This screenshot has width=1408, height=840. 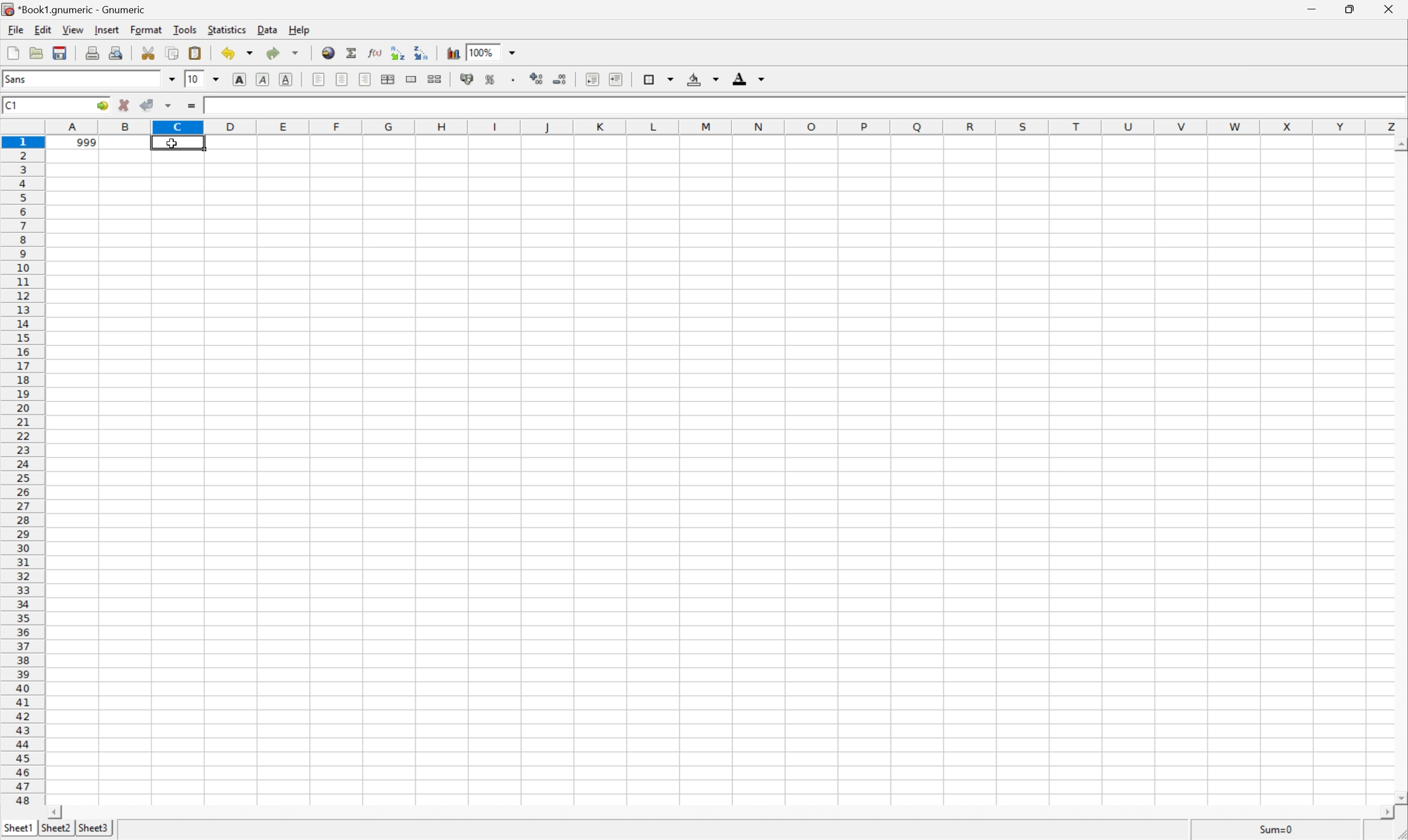 What do you see at coordinates (92, 831) in the screenshot?
I see `sheet3` at bounding box center [92, 831].